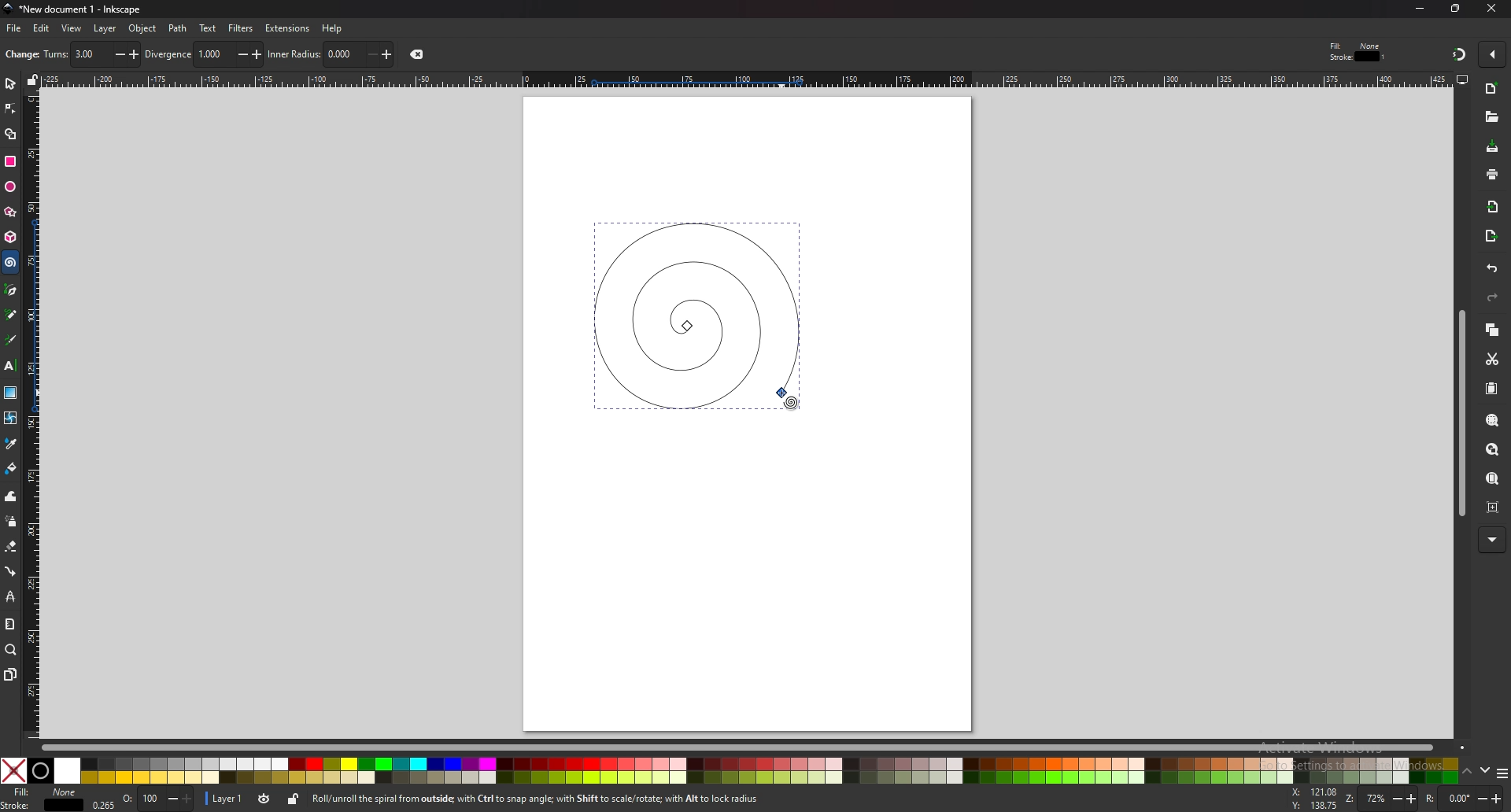 This screenshot has height=812, width=1511. What do you see at coordinates (71, 9) in the screenshot?
I see `New document 1 - Inkscape` at bounding box center [71, 9].